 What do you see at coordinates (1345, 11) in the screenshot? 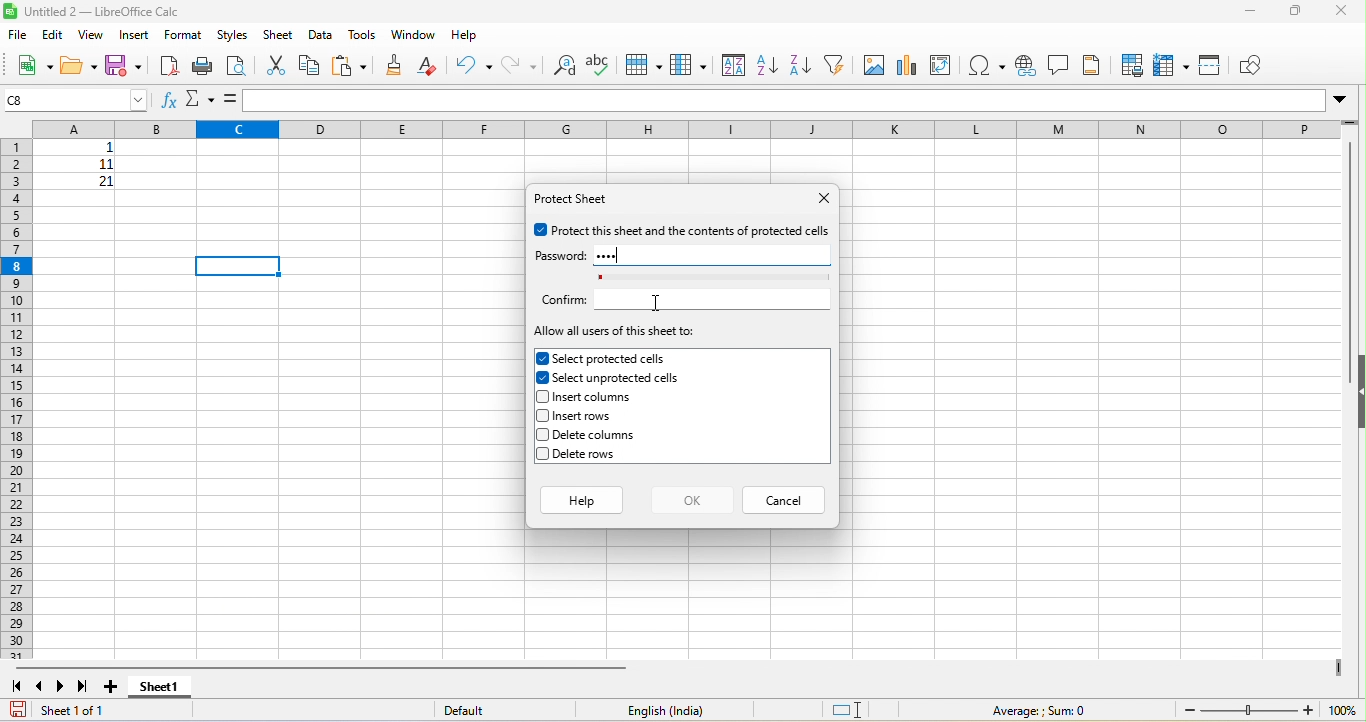
I see `close` at bounding box center [1345, 11].